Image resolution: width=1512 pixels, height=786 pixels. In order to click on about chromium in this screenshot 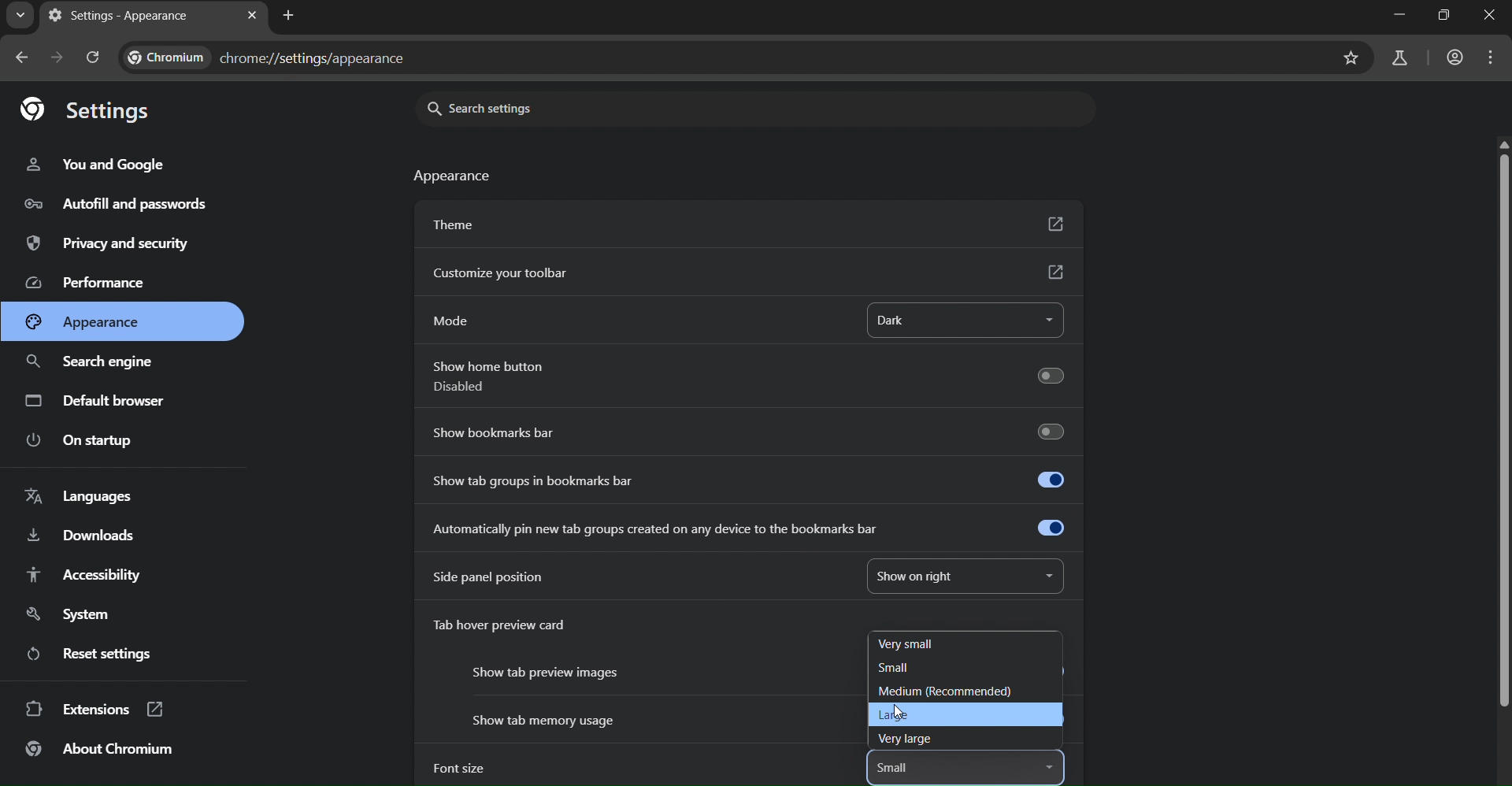, I will do `click(99, 751)`.